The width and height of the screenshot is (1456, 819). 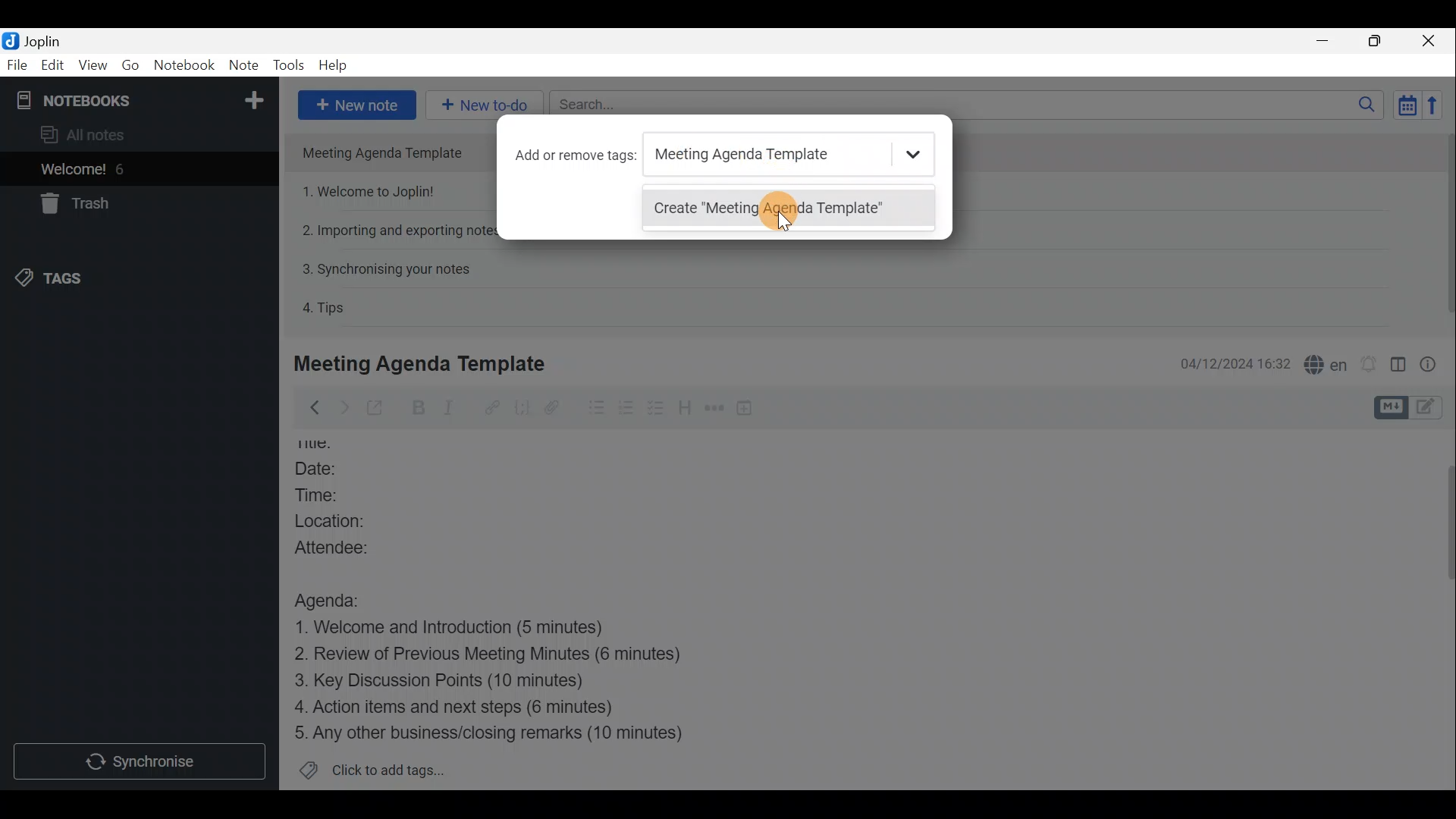 What do you see at coordinates (393, 767) in the screenshot?
I see `Click to add tags` at bounding box center [393, 767].